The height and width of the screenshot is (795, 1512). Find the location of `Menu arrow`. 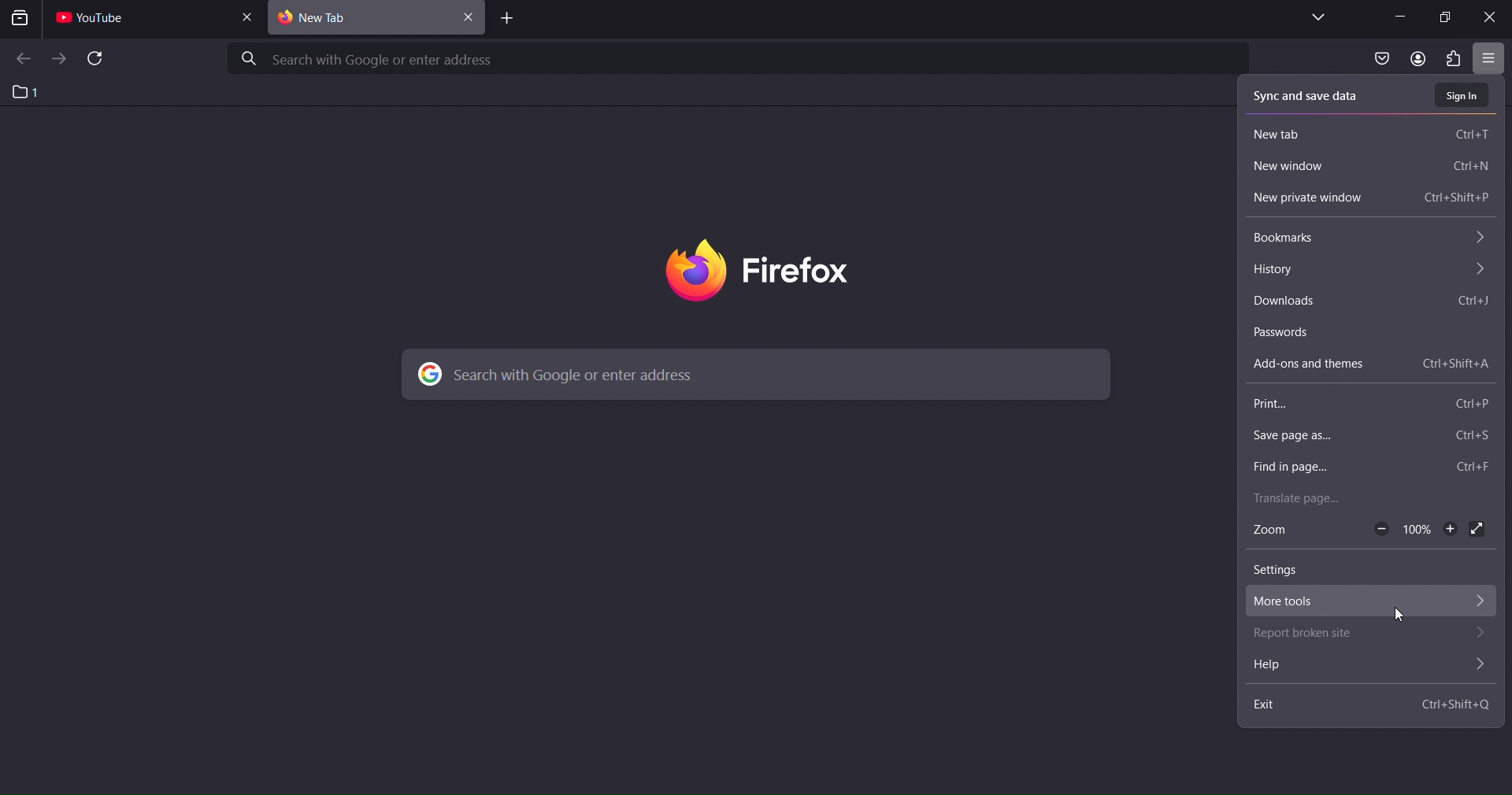

Menu arrow is located at coordinates (1480, 272).